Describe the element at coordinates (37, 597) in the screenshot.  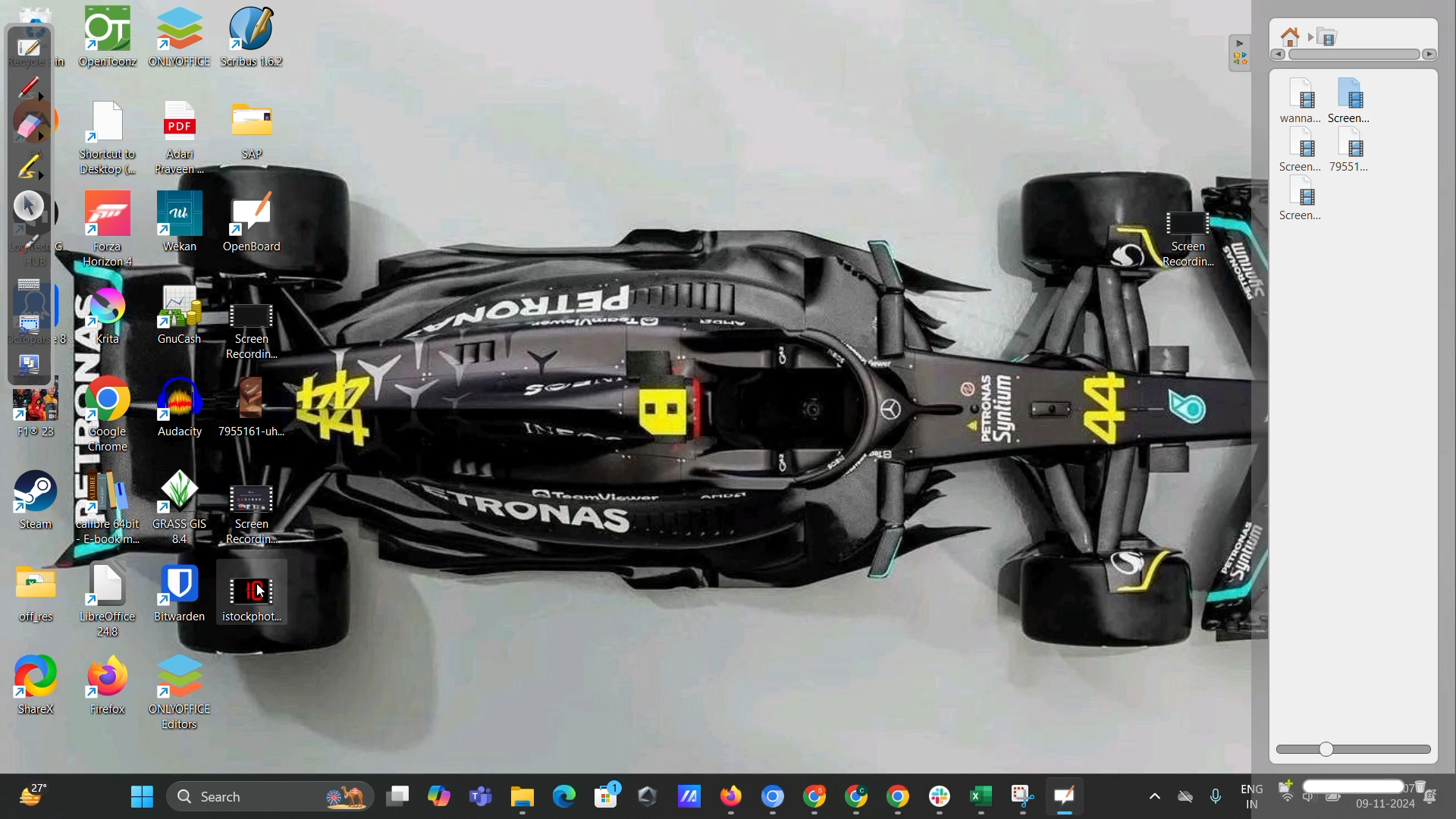
I see `off_res` at that location.